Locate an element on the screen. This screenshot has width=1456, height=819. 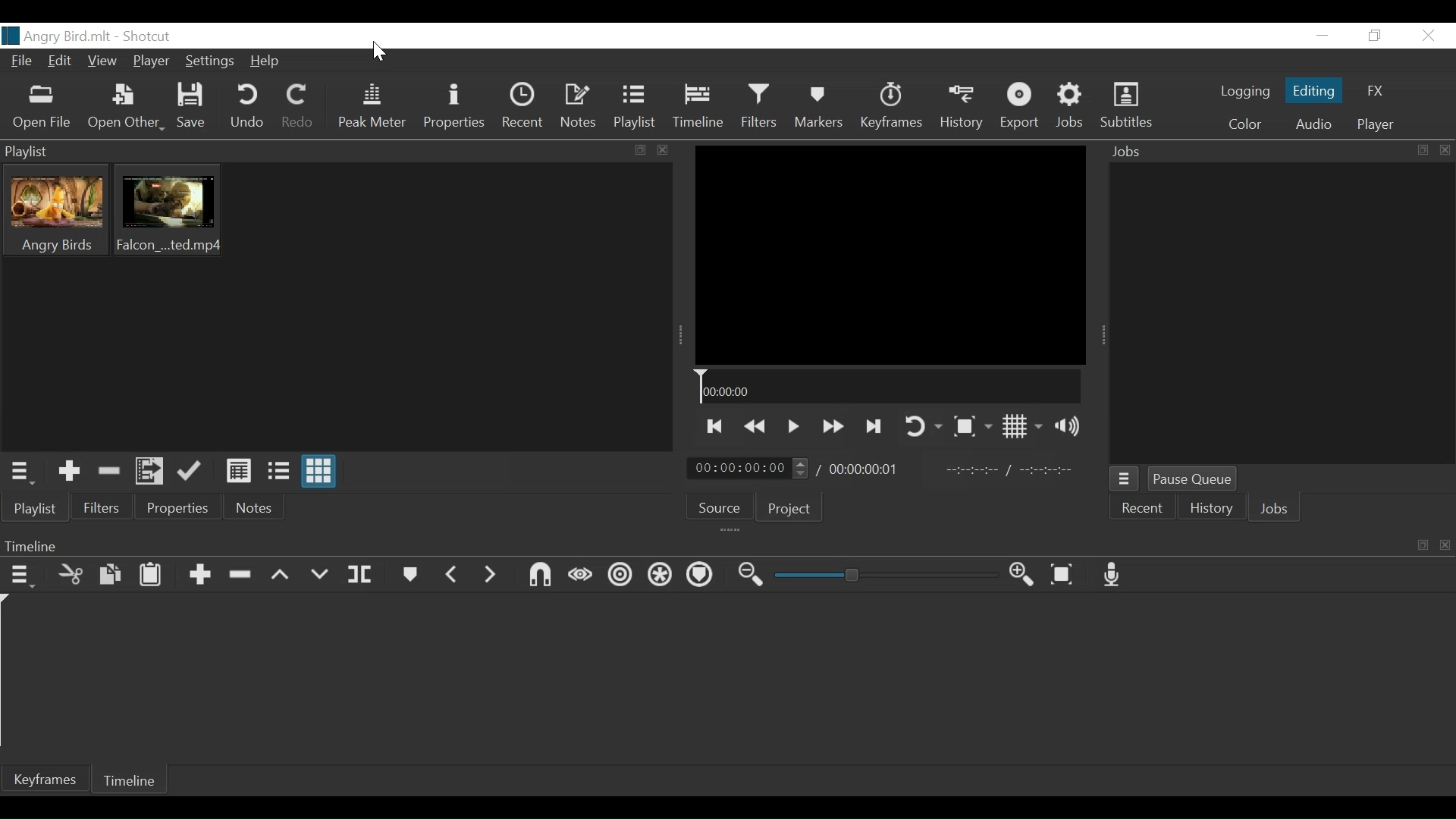
Edit is located at coordinates (61, 63).